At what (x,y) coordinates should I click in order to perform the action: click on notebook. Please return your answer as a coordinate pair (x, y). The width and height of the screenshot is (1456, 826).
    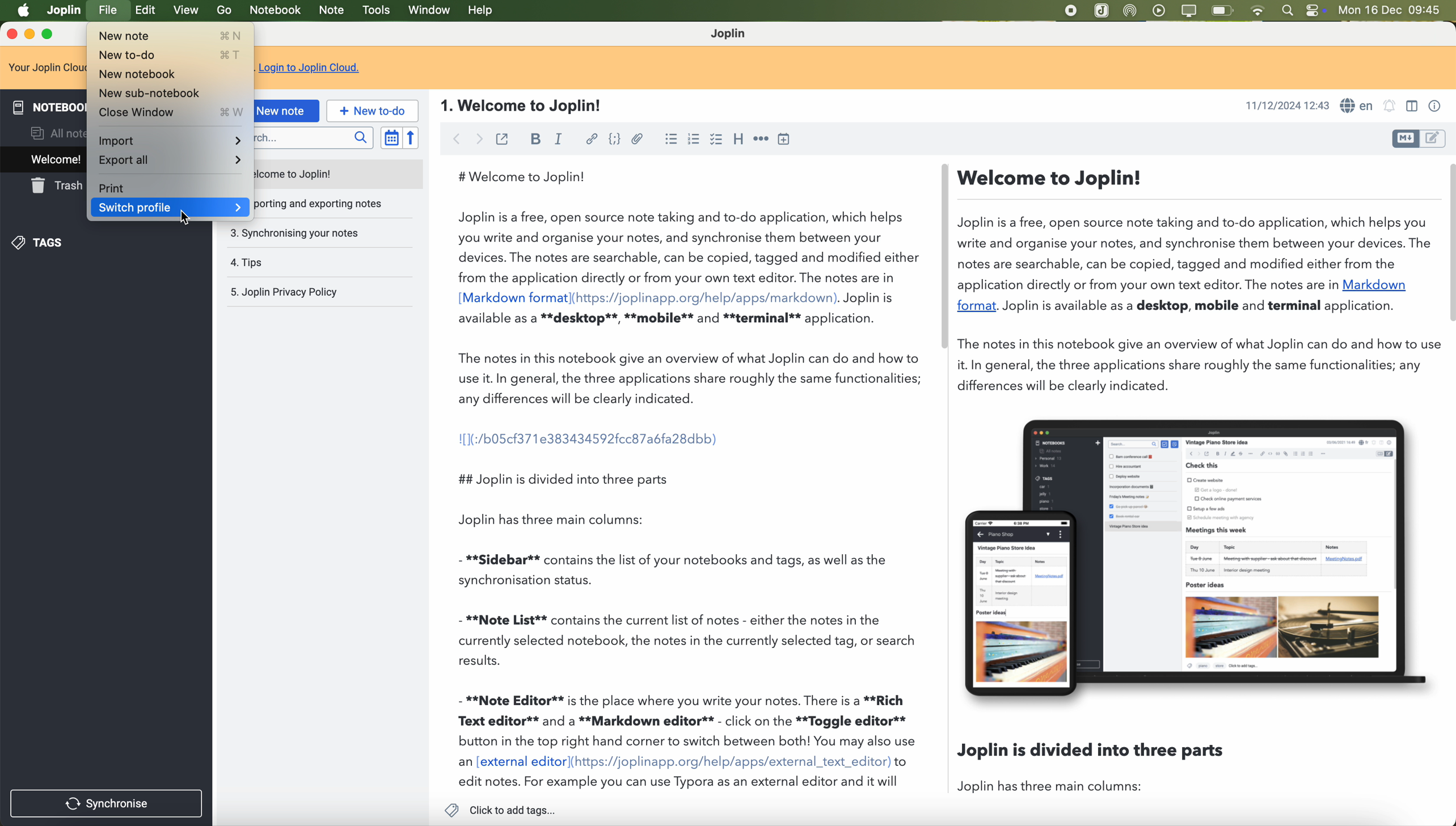
    Looking at the image, I should click on (275, 11).